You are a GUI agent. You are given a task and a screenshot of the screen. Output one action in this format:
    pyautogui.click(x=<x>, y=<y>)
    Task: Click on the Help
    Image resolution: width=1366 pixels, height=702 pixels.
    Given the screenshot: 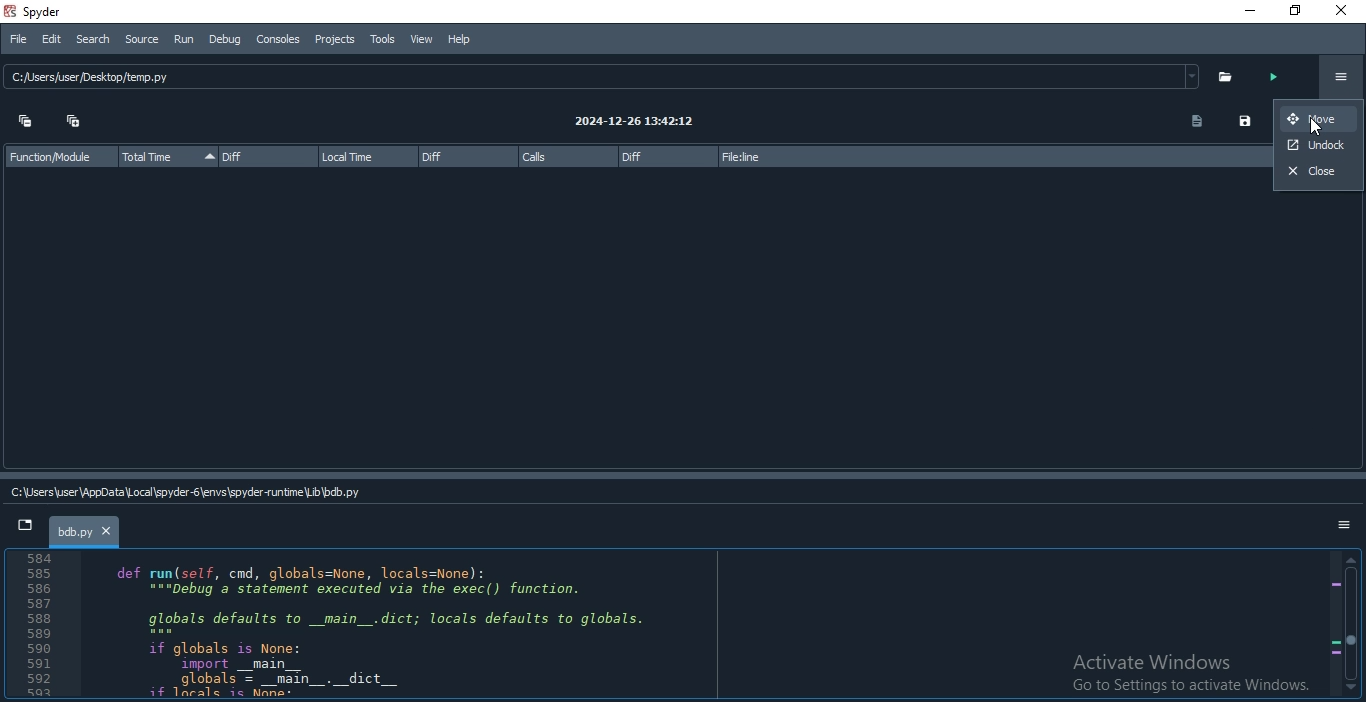 What is the action you would take?
    pyautogui.click(x=458, y=38)
    